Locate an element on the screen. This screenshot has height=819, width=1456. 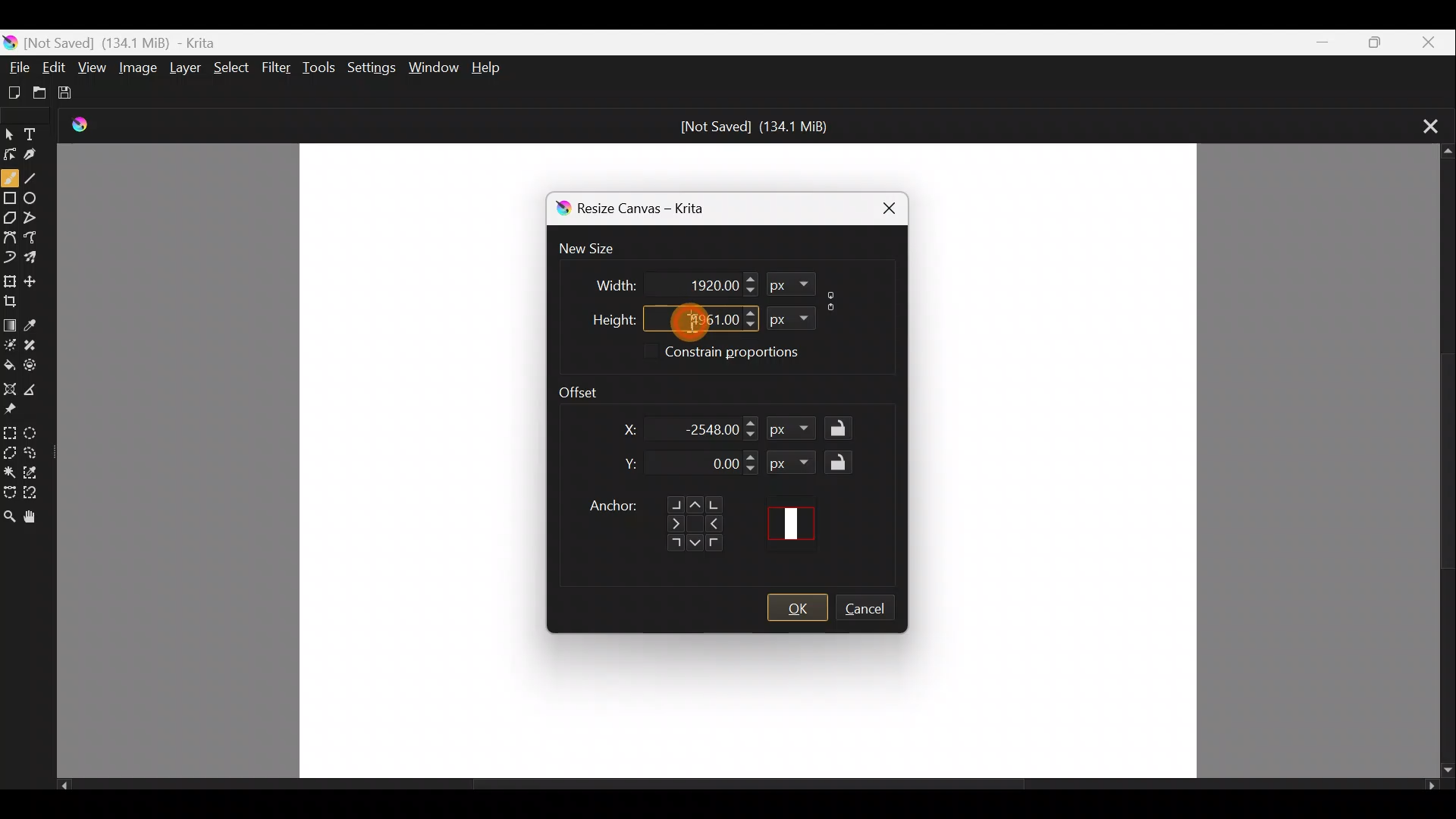
Decrease Y dimension is located at coordinates (752, 469).